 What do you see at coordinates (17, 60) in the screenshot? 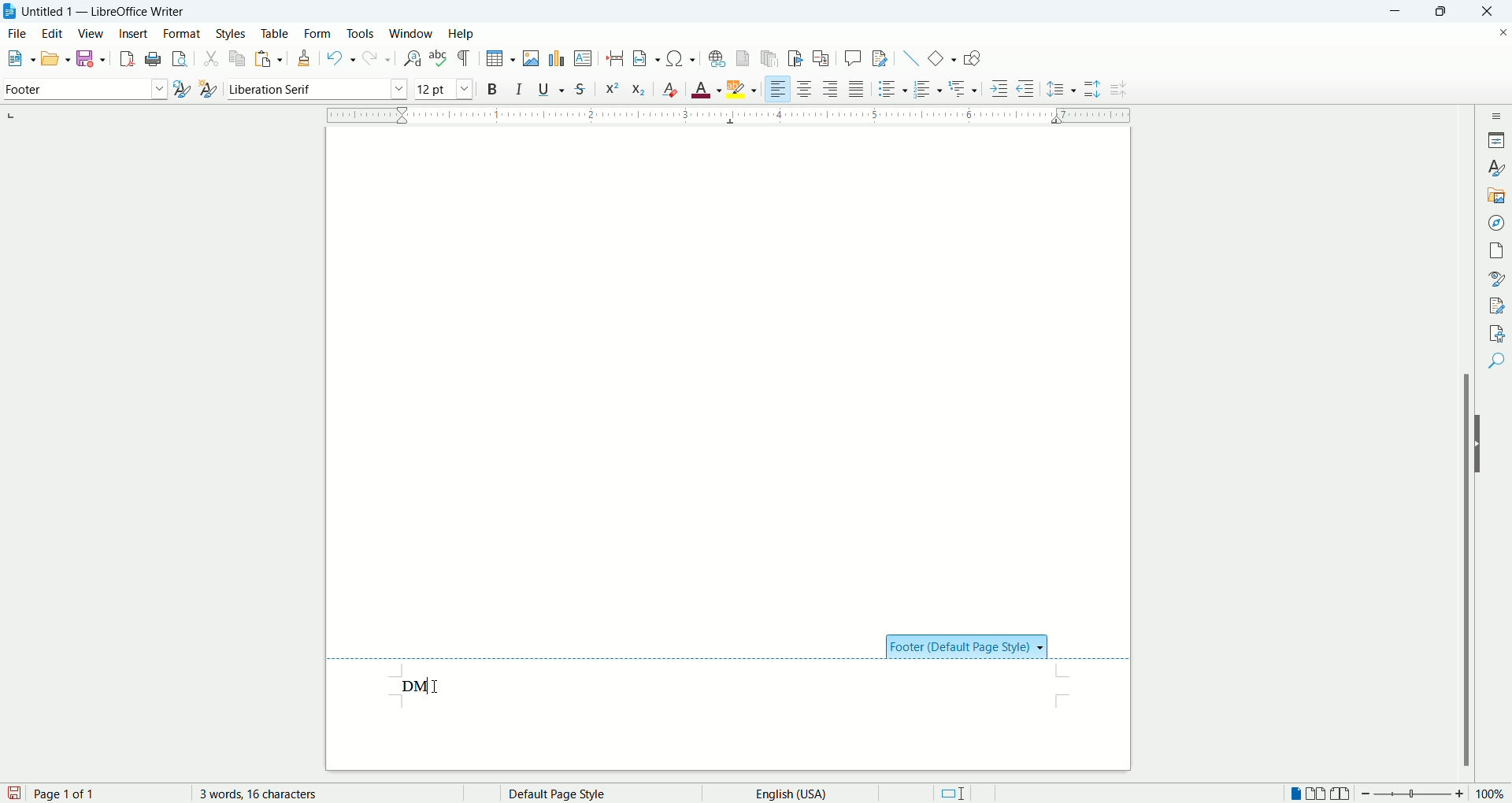
I see `open` at bounding box center [17, 60].